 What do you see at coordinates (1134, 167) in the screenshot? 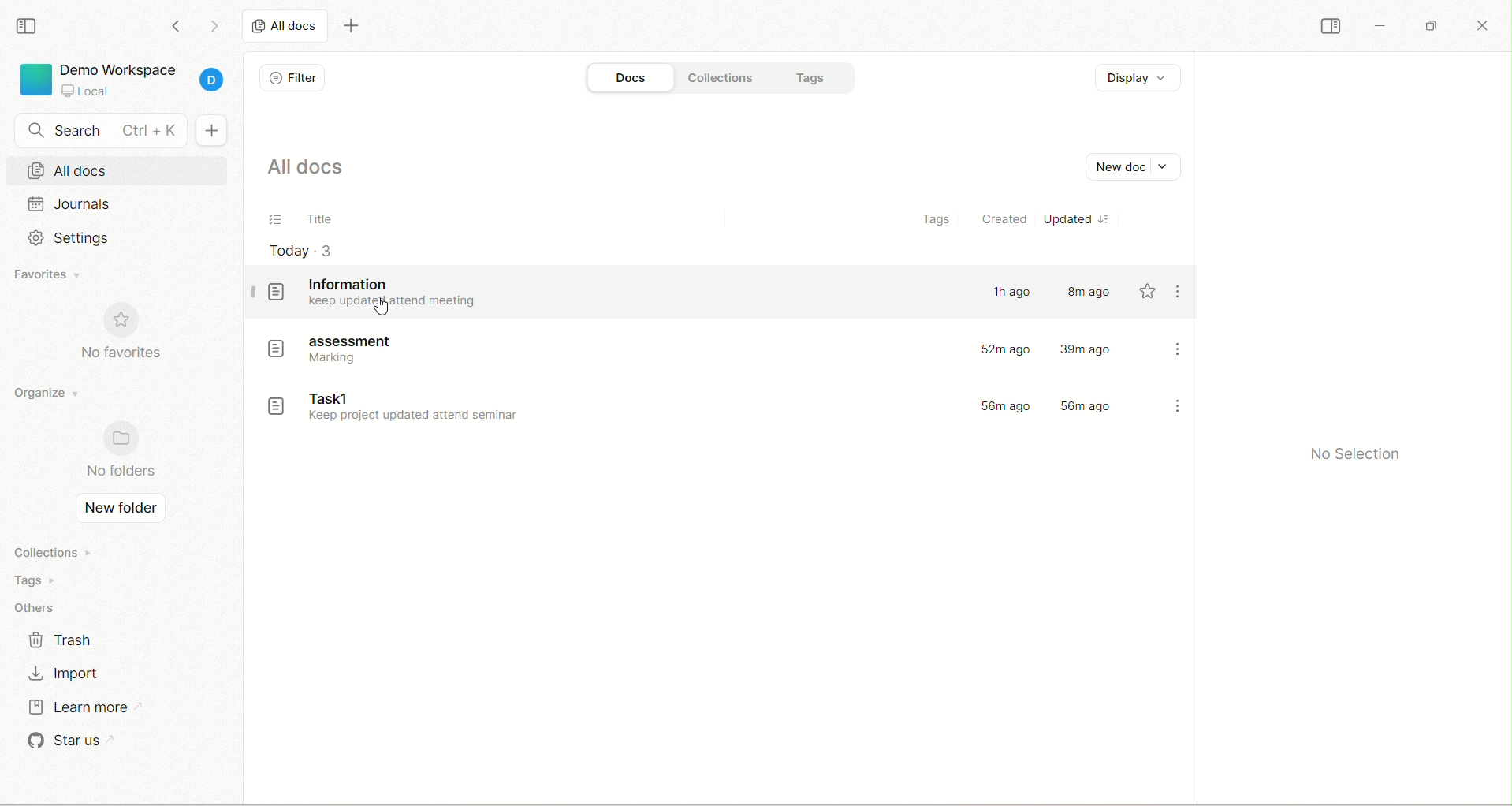
I see `new document` at bounding box center [1134, 167].